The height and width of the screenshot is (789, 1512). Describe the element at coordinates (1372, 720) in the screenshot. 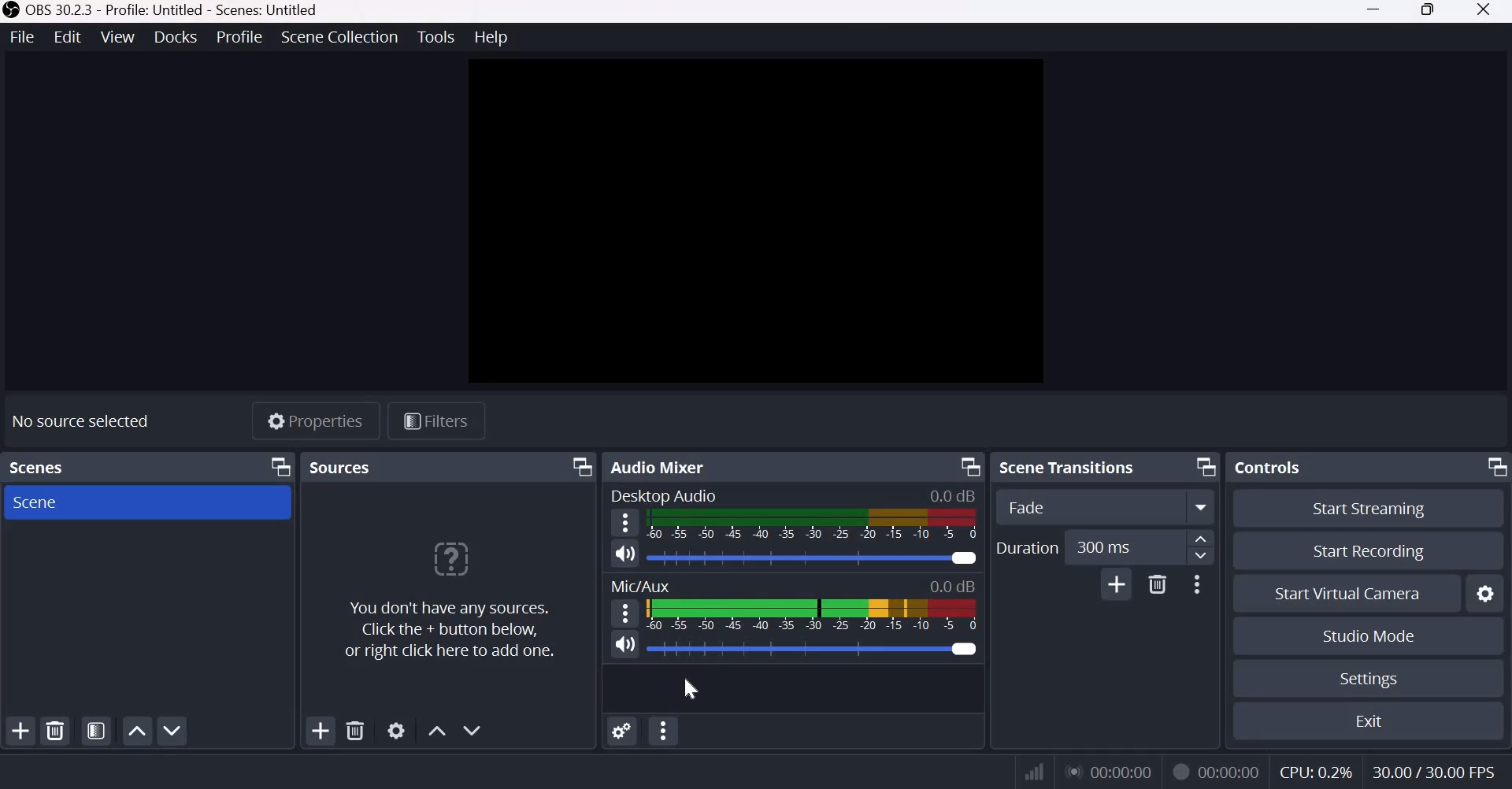

I see `Exit` at that location.